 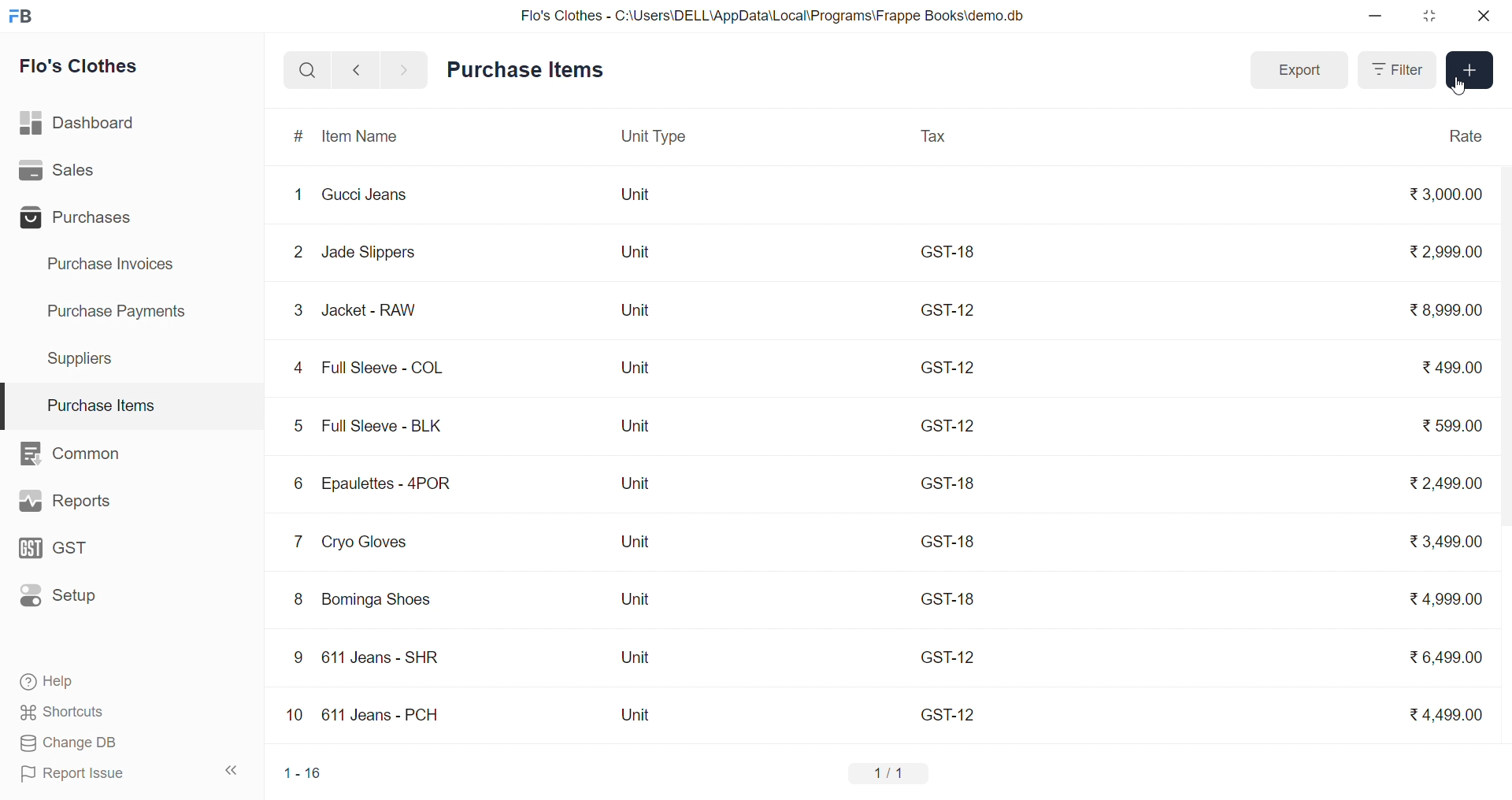 What do you see at coordinates (84, 120) in the screenshot?
I see `Dashboard` at bounding box center [84, 120].